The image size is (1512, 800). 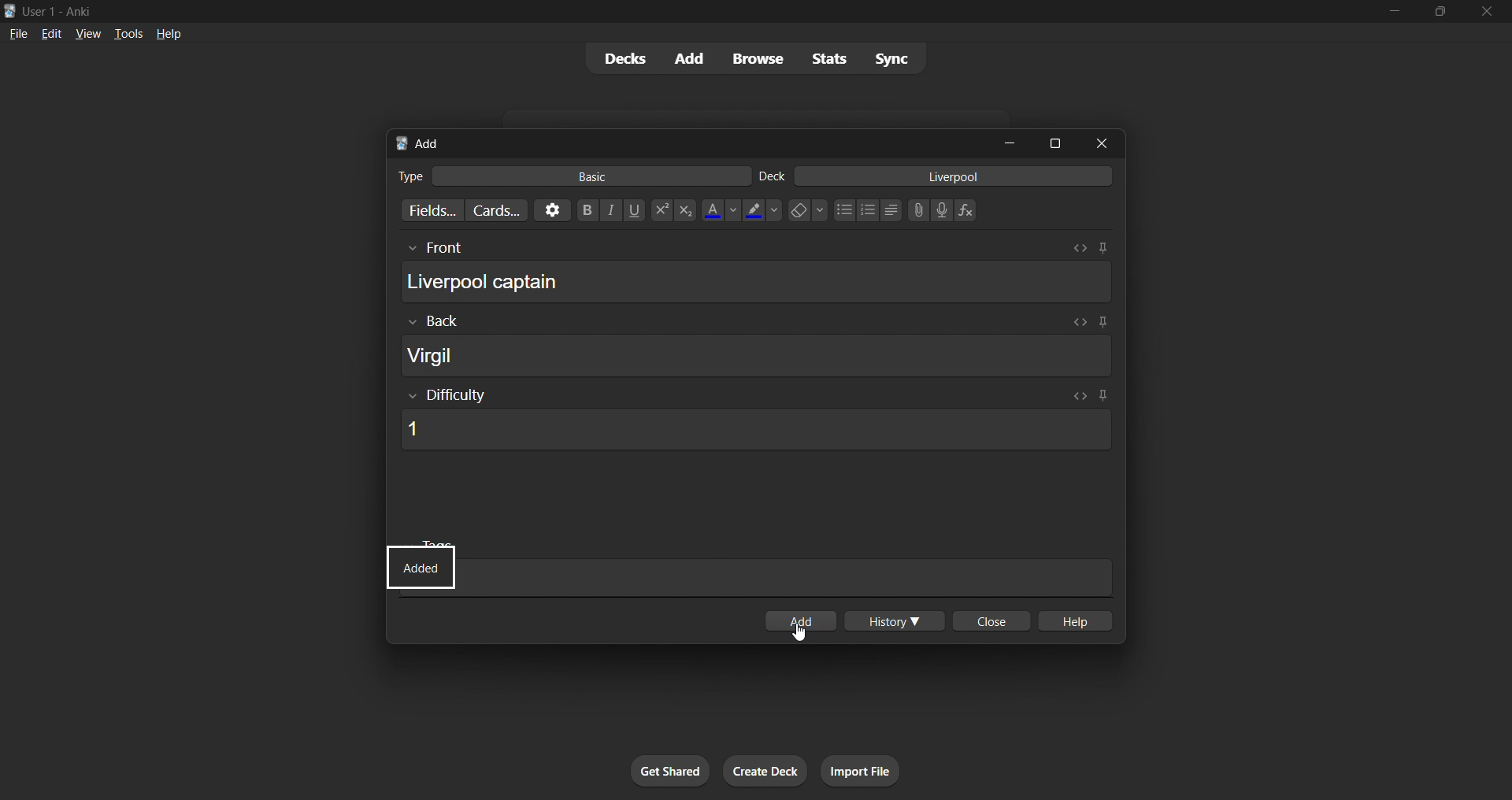 I want to click on cursor, so click(x=799, y=631).